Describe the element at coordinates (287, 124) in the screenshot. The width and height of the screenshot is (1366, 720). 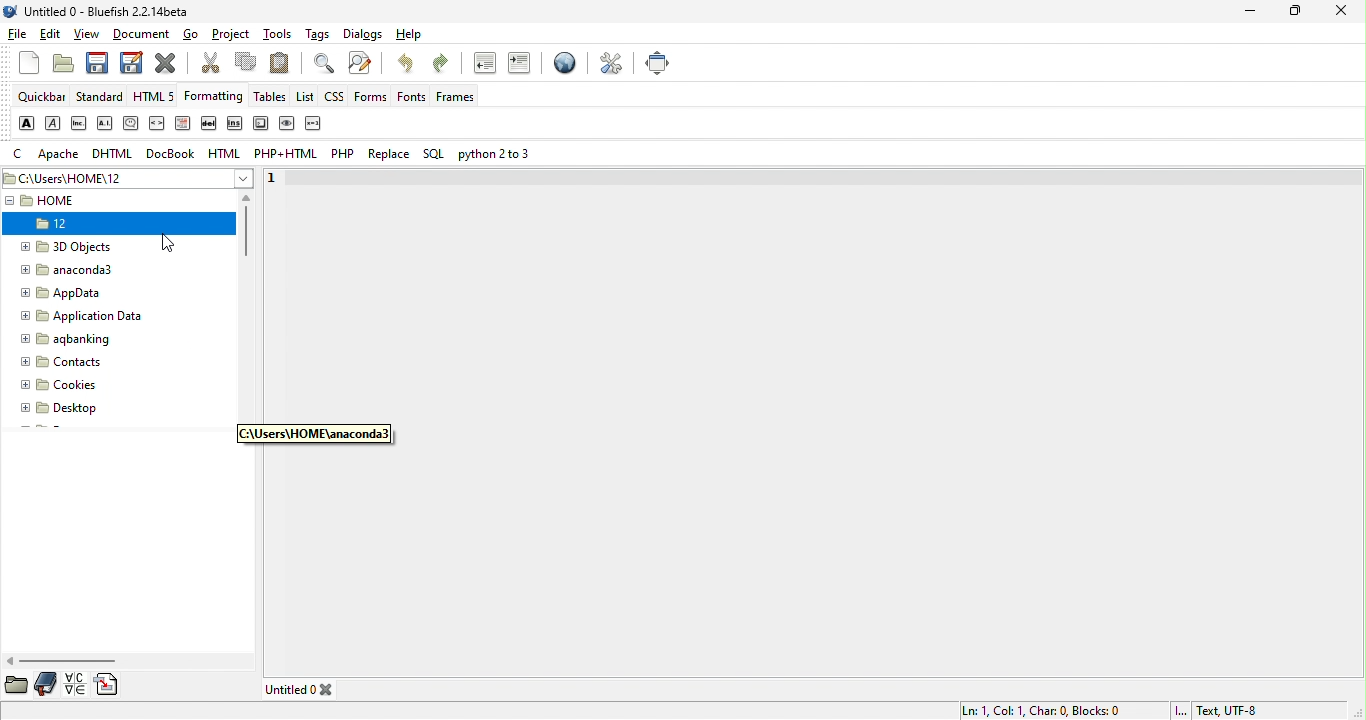
I see `sample` at that location.